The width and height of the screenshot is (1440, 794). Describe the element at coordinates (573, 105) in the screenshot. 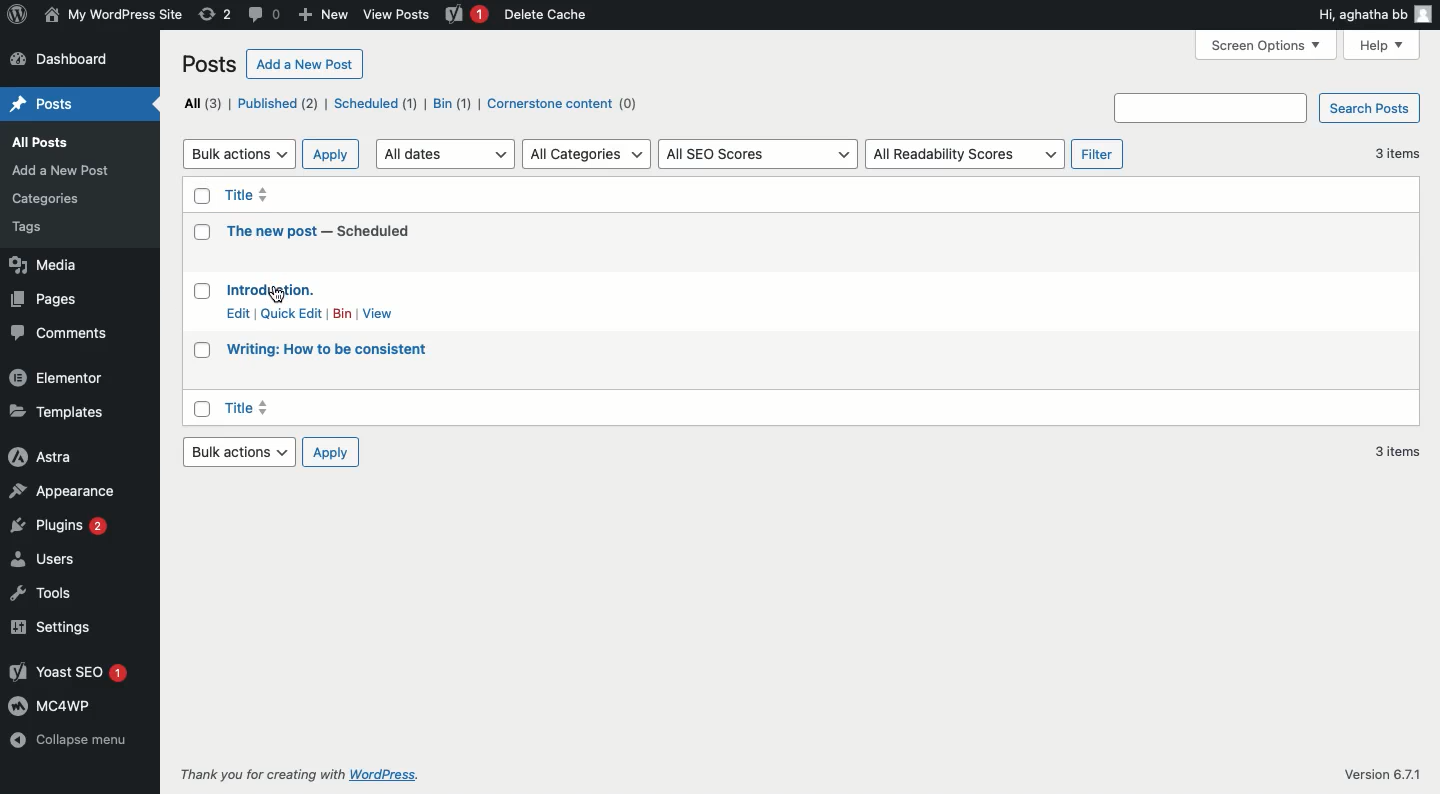

I see `Cornerstone content` at that location.